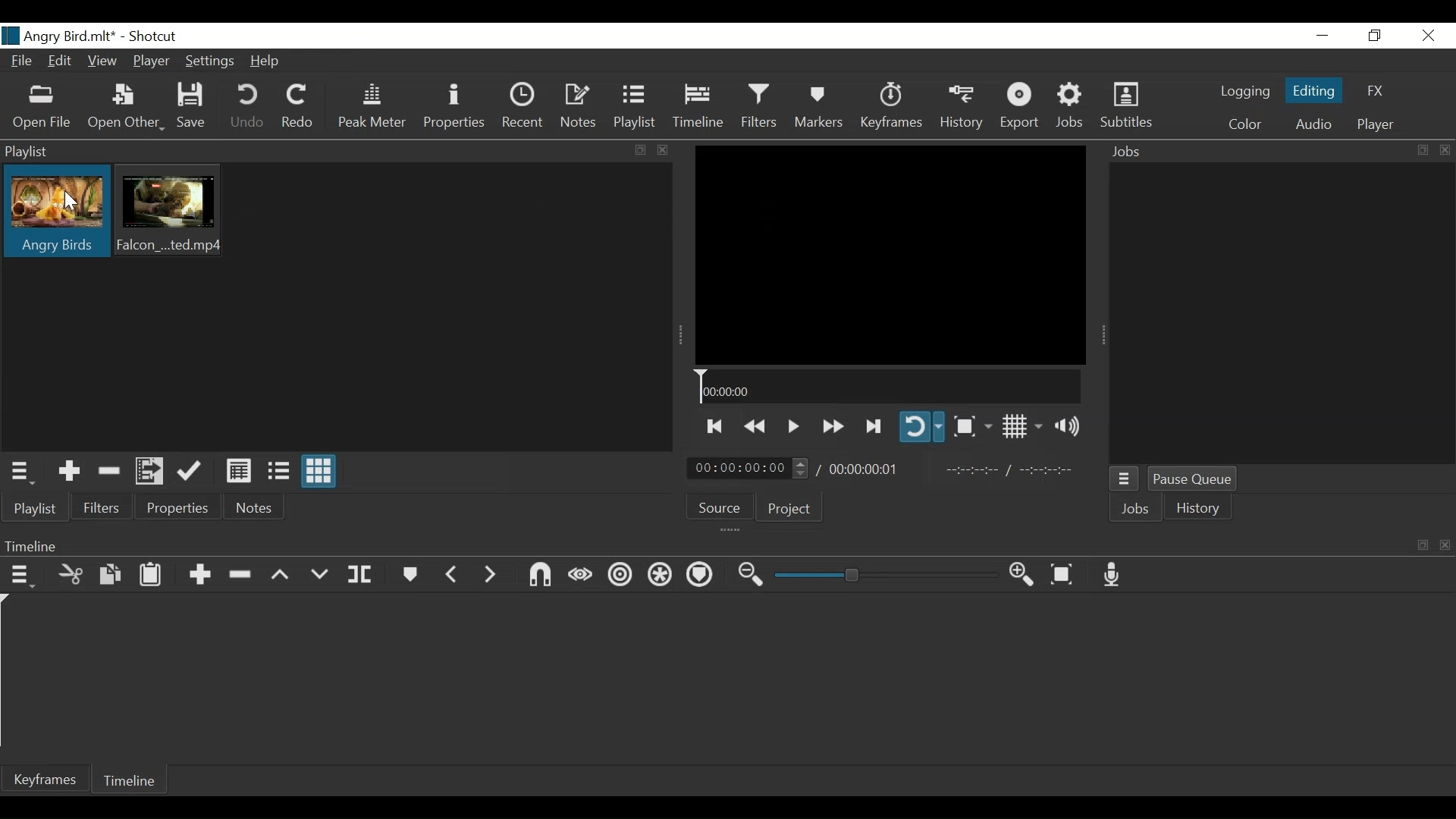 Image resolution: width=1456 pixels, height=819 pixels. What do you see at coordinates (366, 575) in the screenshot?
I see `Split at playhead` at bounding box center [366, 575].